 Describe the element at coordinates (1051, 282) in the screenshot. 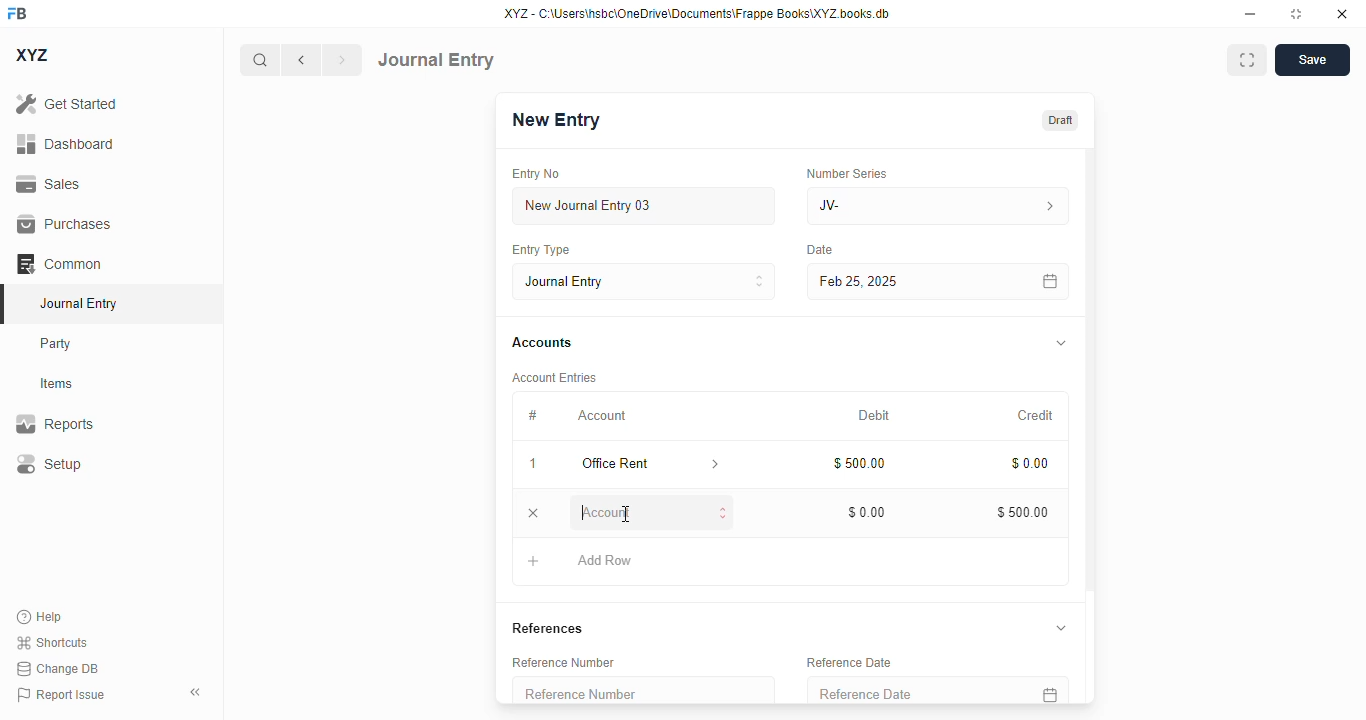

I see `calendar icon` at that location.